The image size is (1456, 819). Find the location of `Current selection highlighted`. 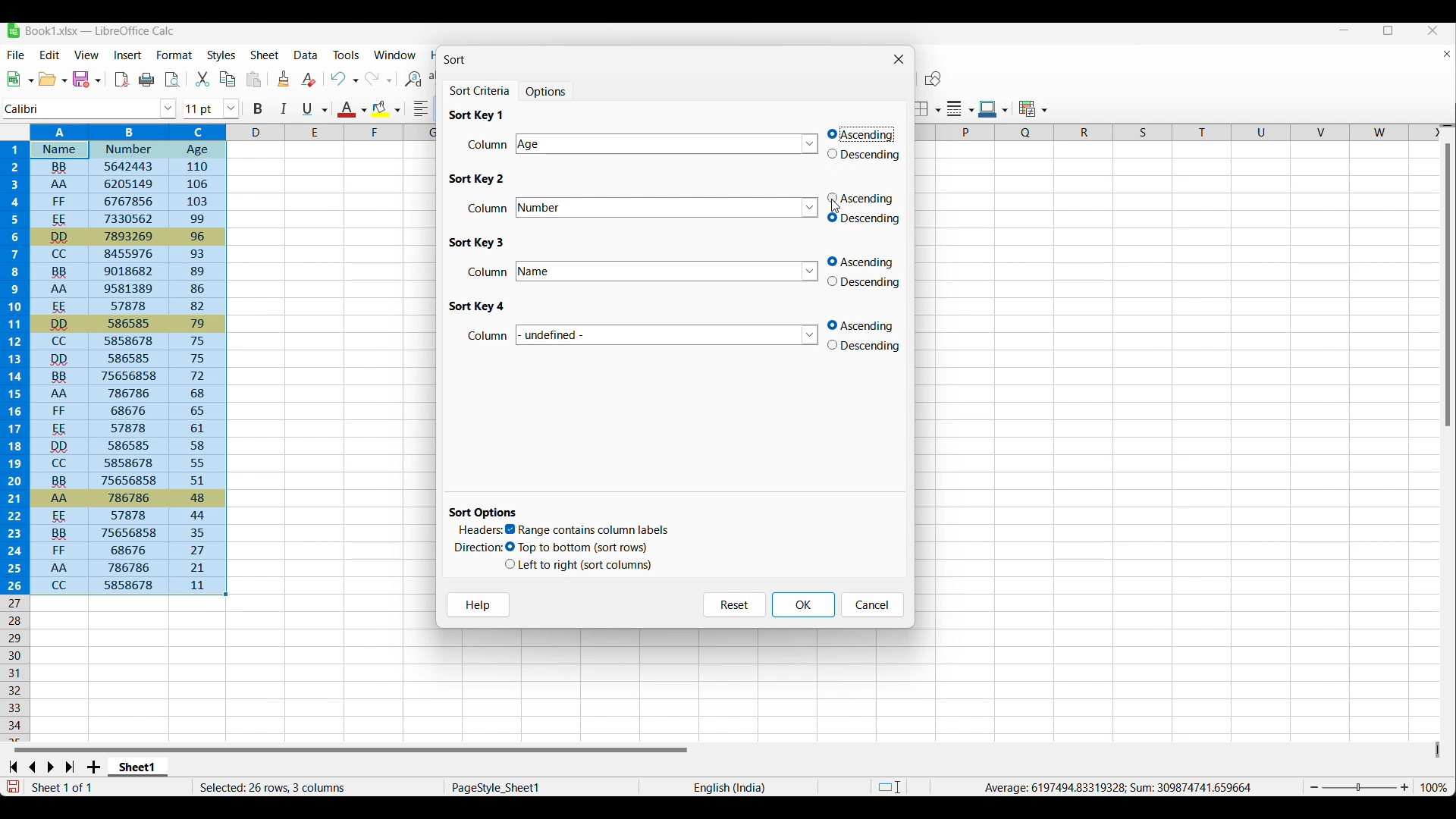

Current selection highlighted is located at coordinates (115, 359).